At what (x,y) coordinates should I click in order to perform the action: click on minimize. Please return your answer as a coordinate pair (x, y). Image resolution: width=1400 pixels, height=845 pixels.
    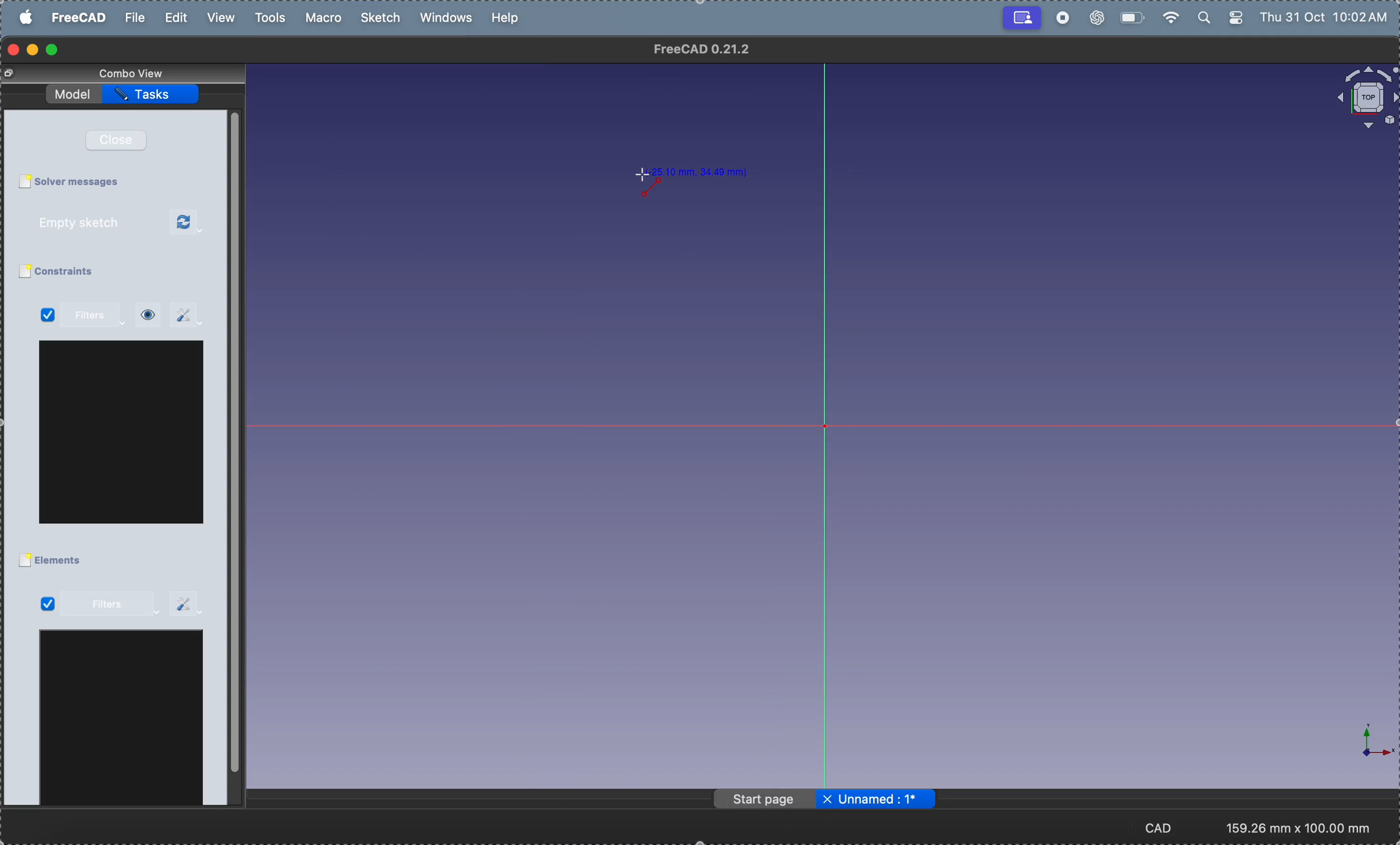
    Looking at the image, I should click on (35, 50).